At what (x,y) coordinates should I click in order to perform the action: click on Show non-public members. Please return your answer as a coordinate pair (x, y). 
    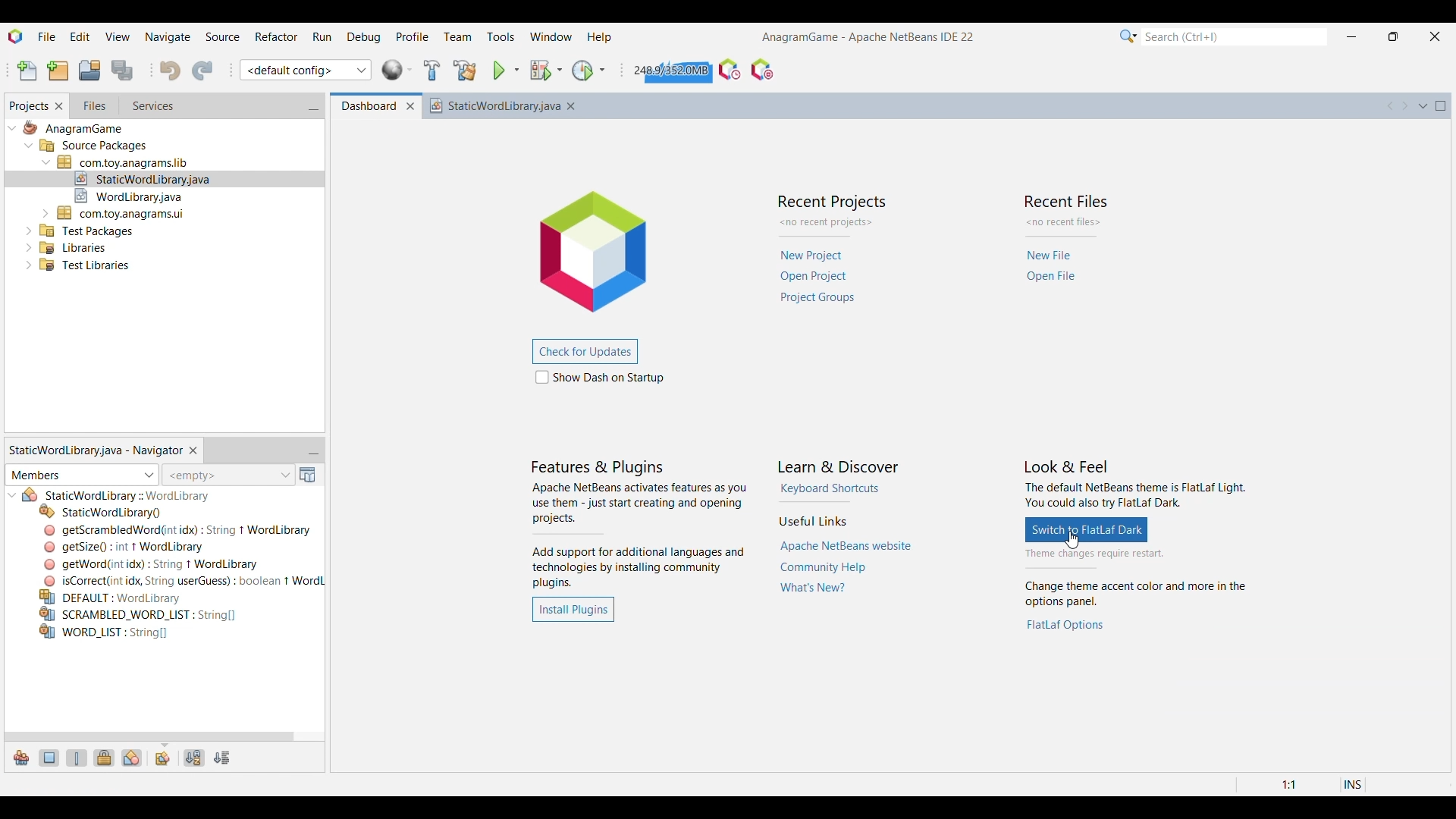
    Looking at the image, I should click on (104, 758).